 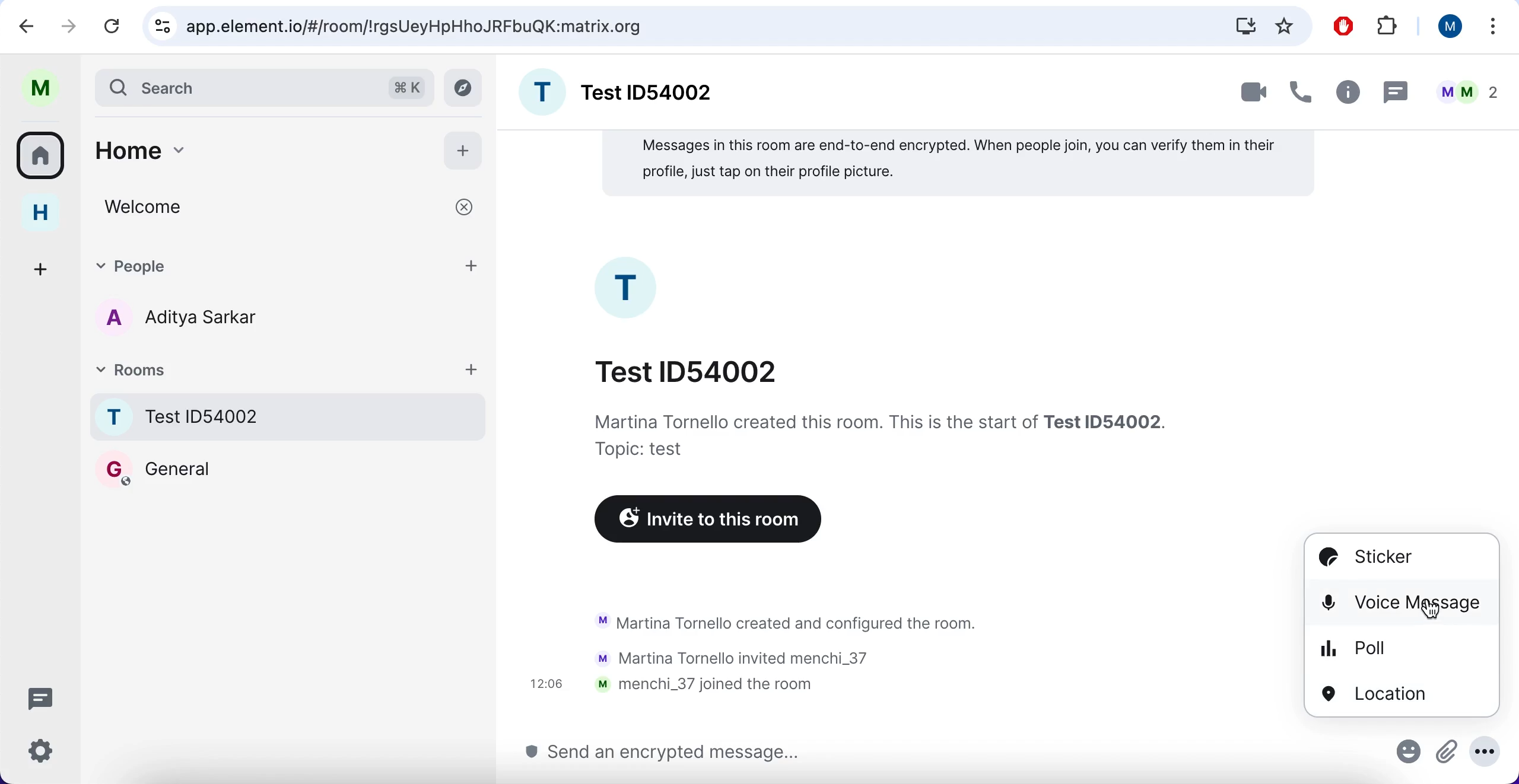 What do you see at coordinates (688, 369) in the screenshot?
I see `chat title` at bounding box center [688, 369].